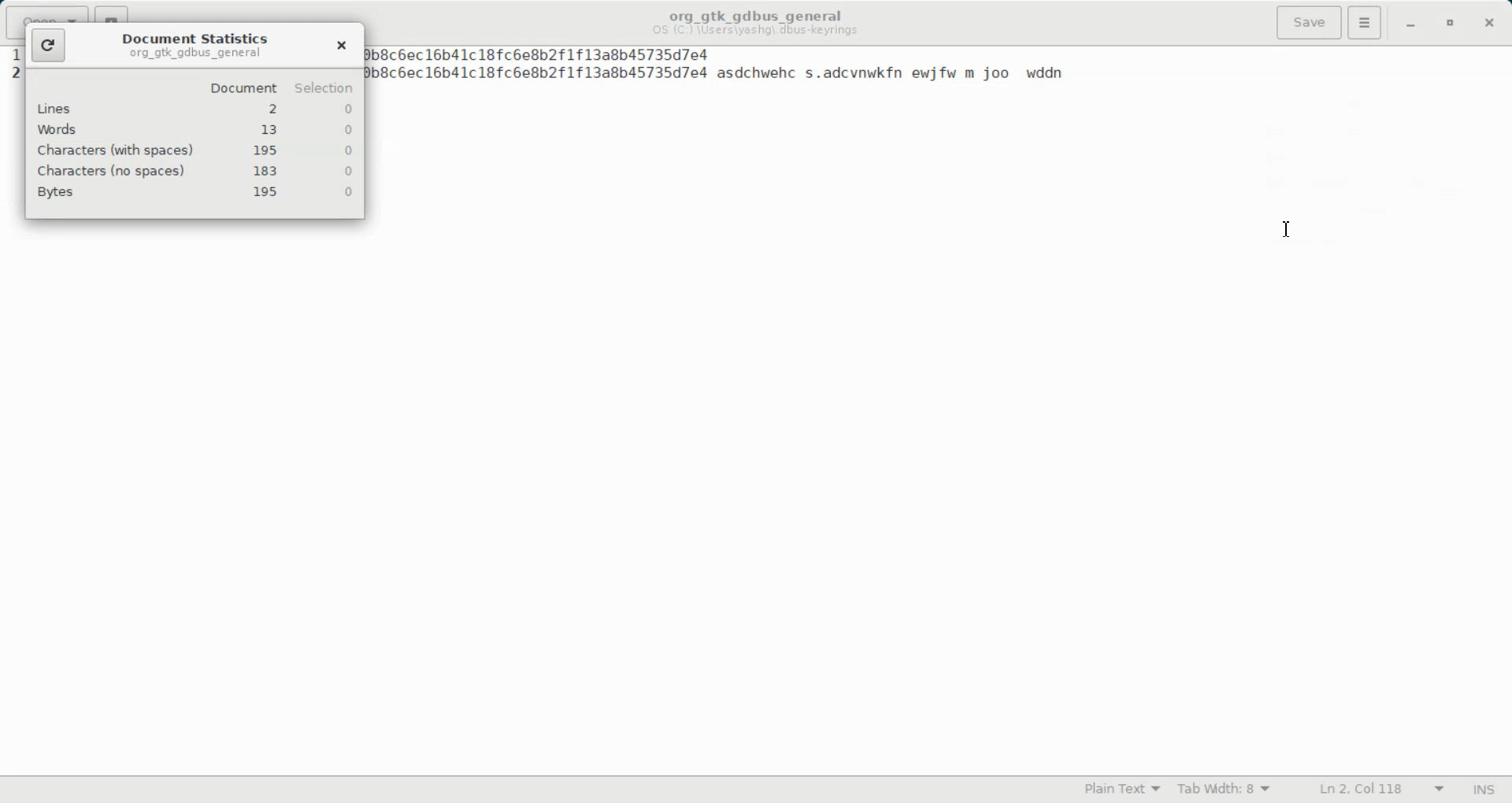  What do you see at coordinates (1490, 23) in the screenshot?
I see `Close` at bounding box center [1490, 23].